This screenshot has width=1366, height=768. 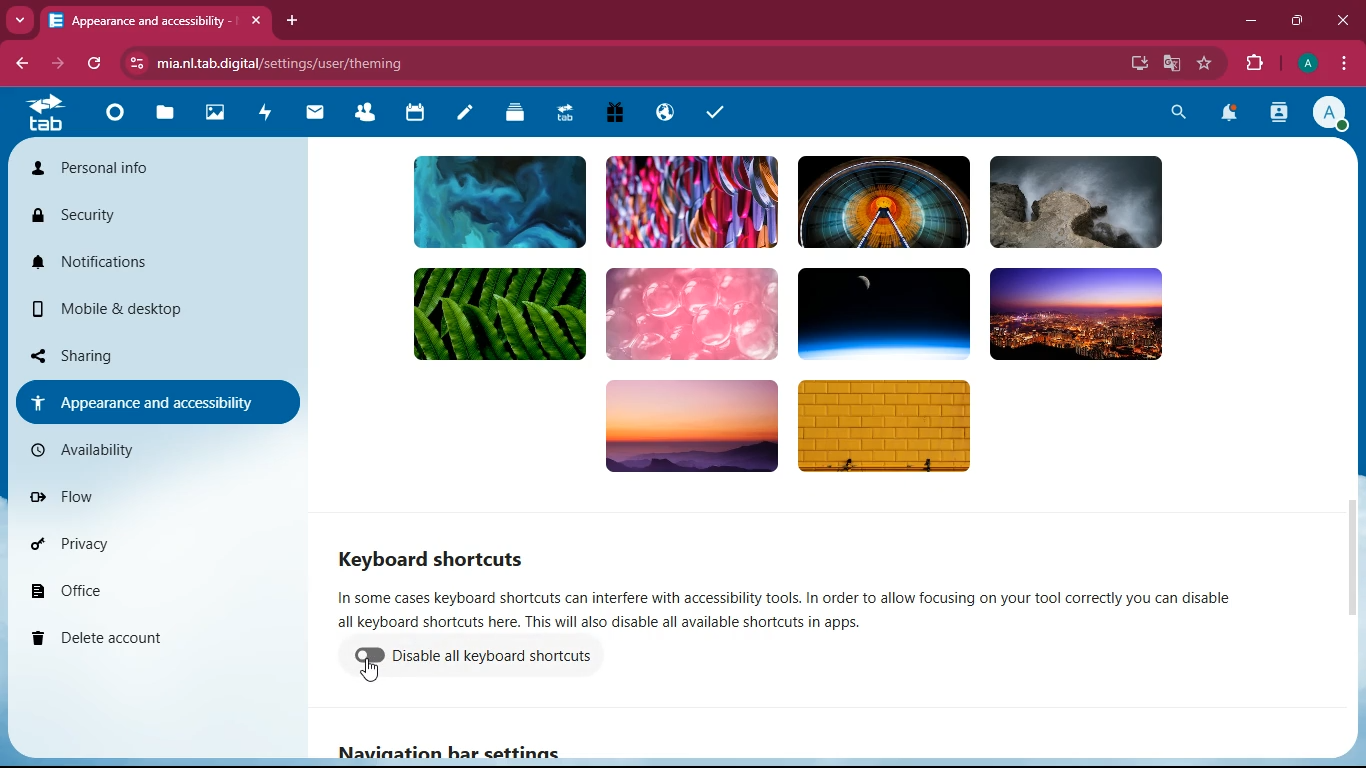 What do you see at coordinates (1135, 63) in the screenshot?
I see `desktop` at bounding box center [1135, 63].